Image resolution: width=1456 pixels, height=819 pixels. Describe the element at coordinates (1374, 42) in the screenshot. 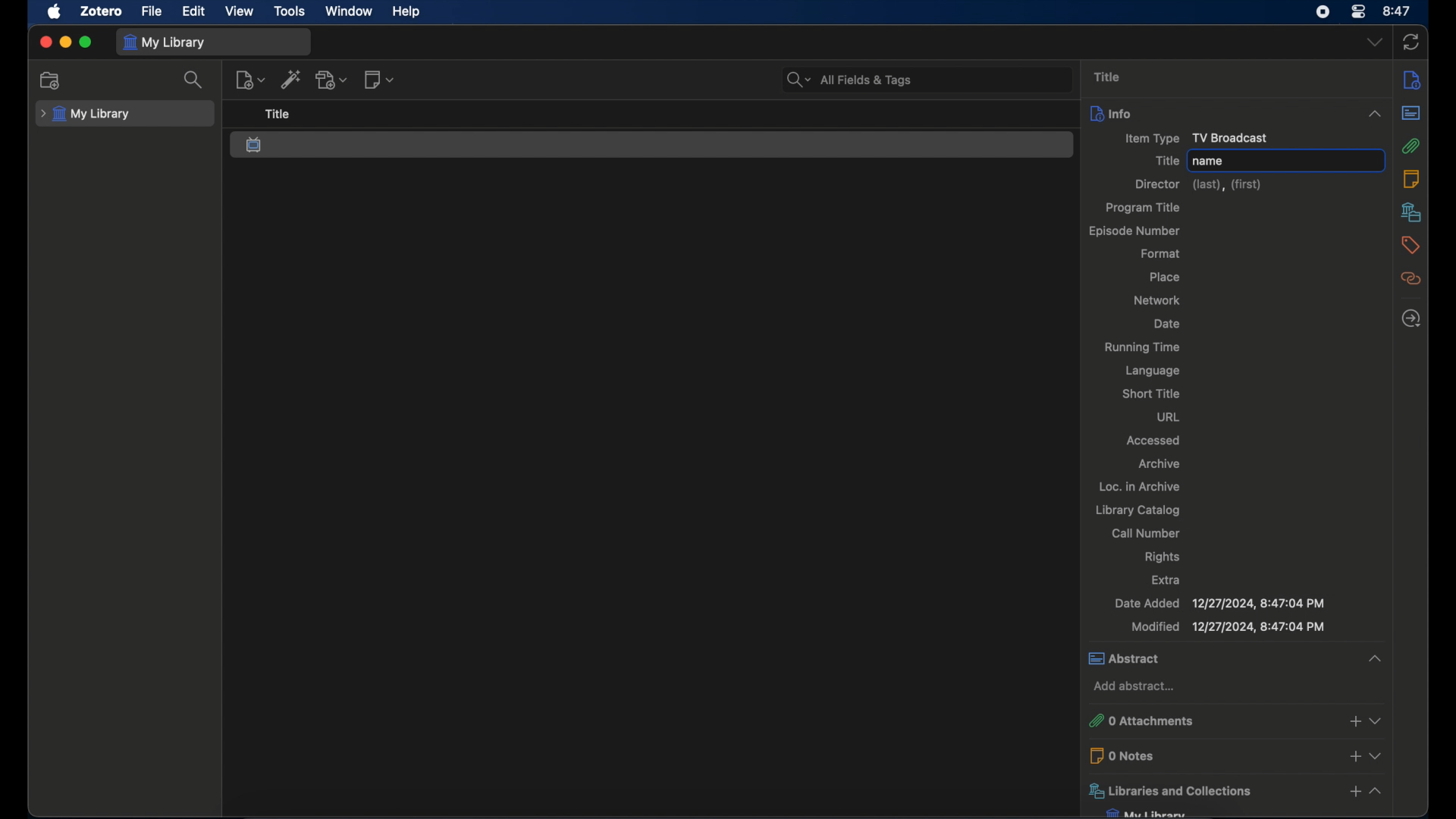

I see `dropdown` at that location.